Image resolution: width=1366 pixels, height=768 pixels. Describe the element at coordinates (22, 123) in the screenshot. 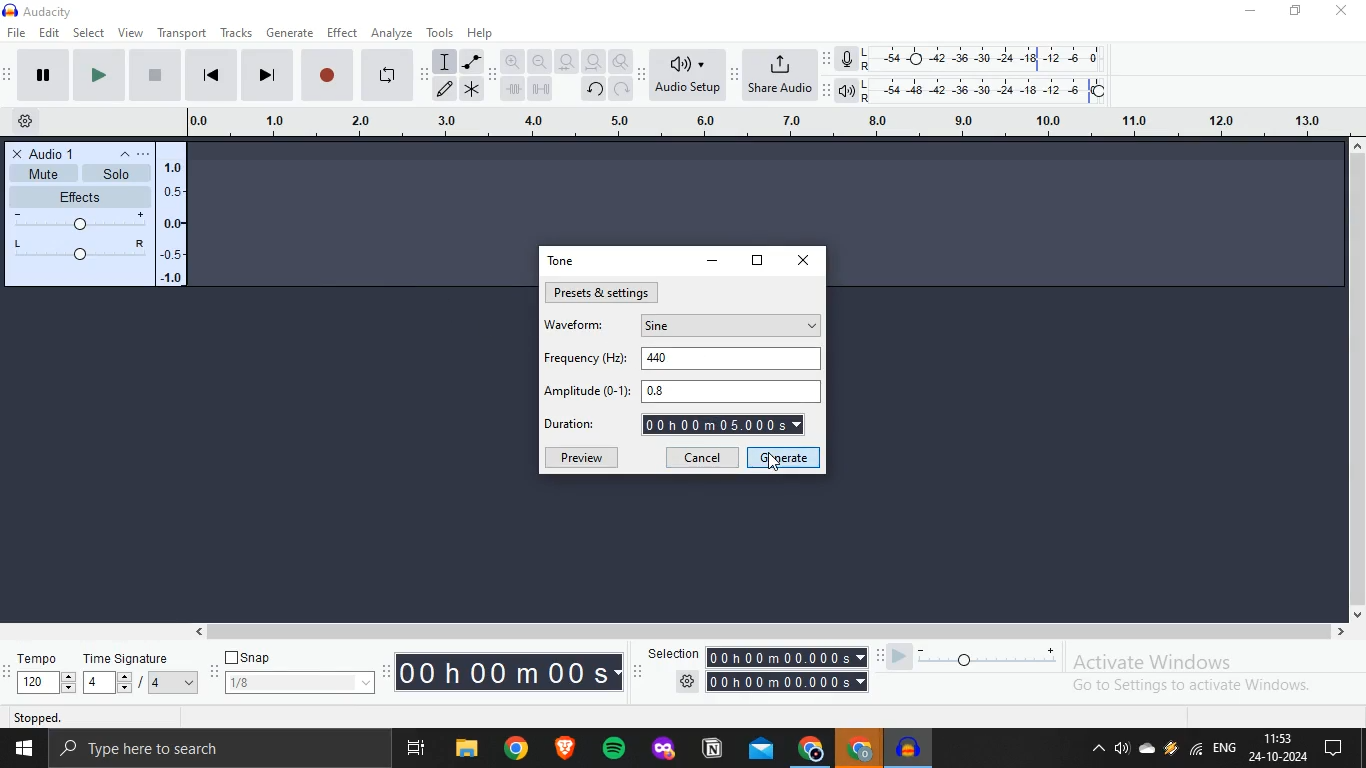

I see `Settings` at that location.